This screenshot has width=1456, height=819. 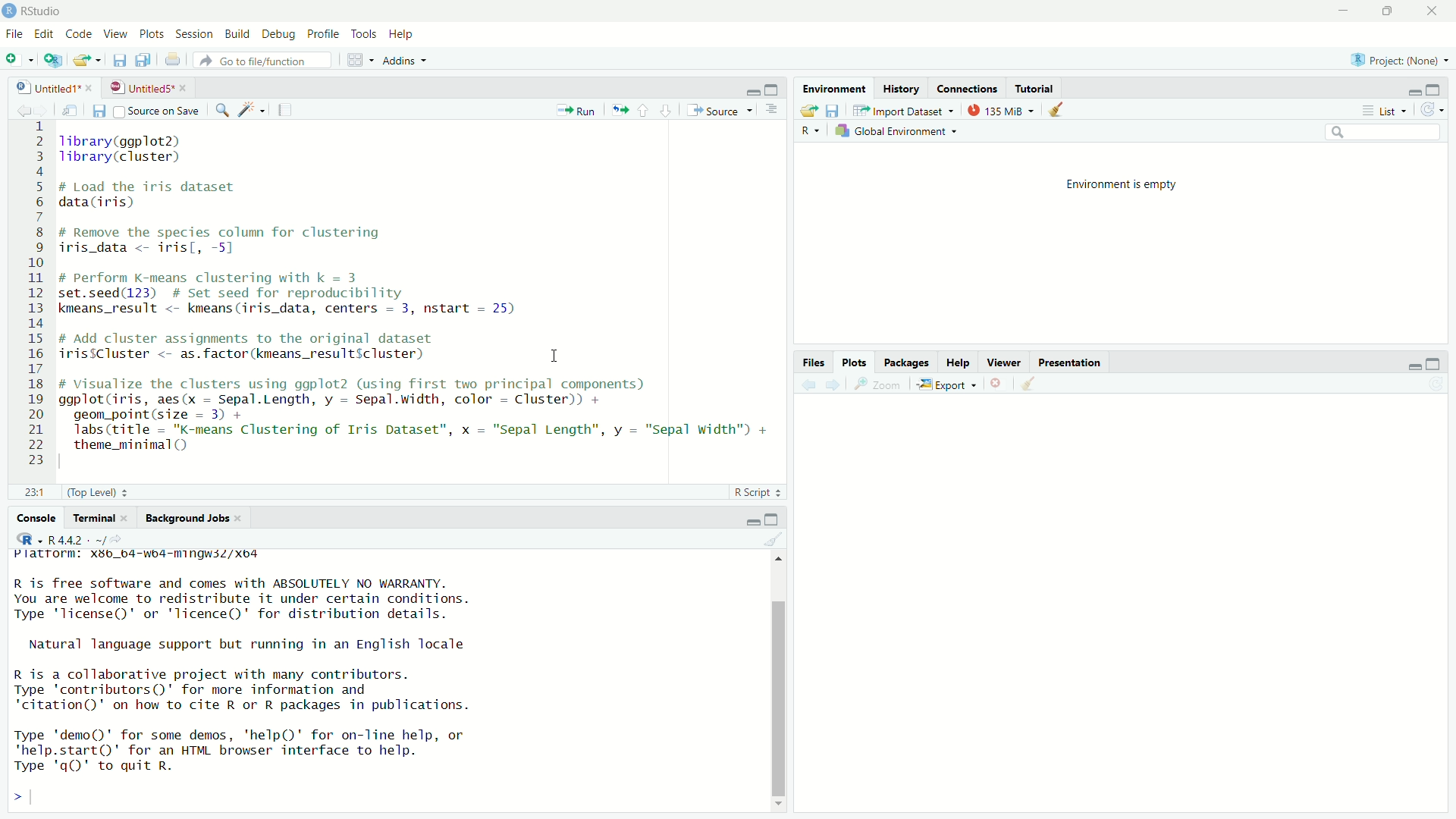 I want to click on list, so click(x=1382, y=111).